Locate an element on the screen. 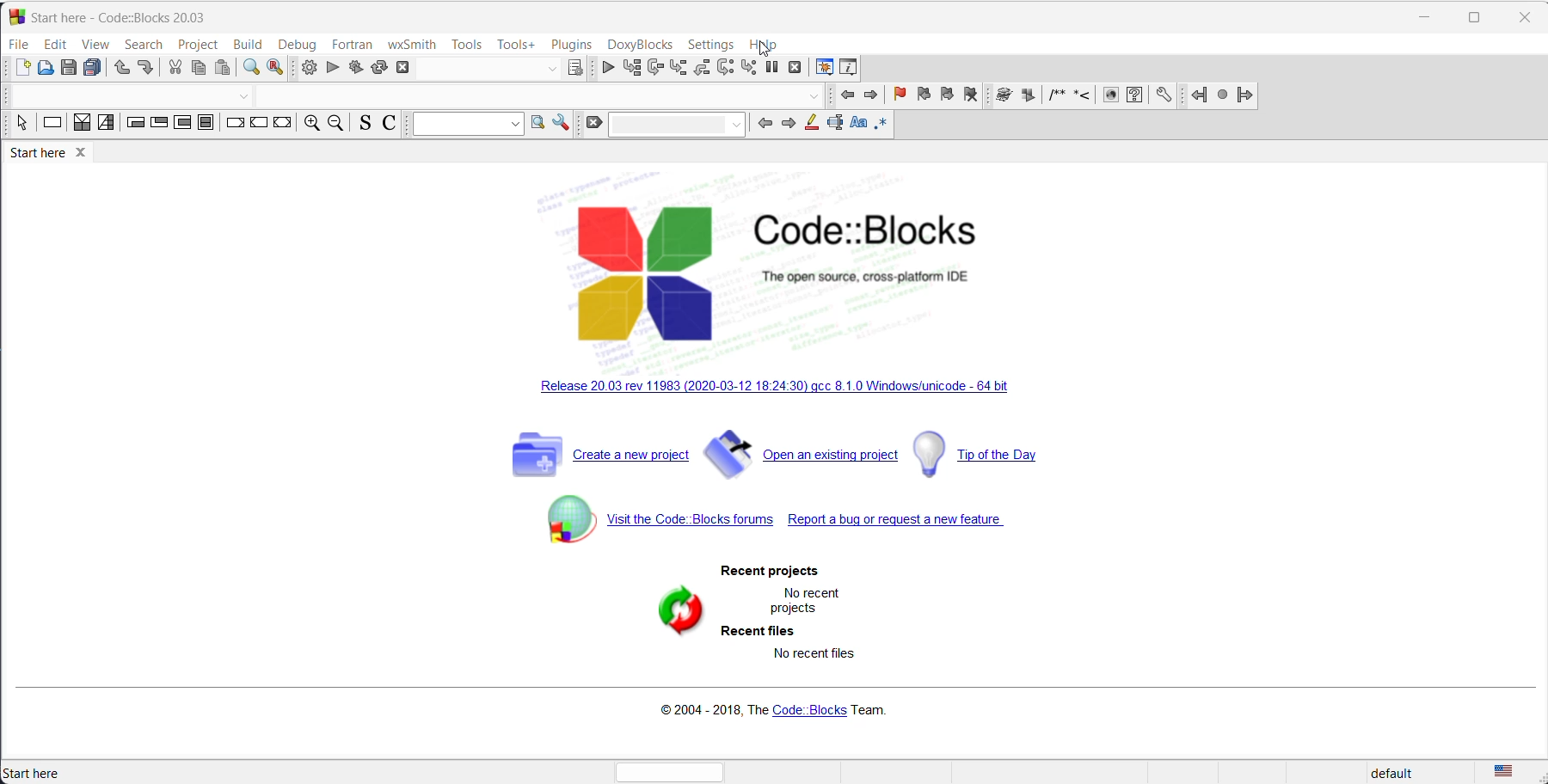 This screenshot has width=1548, height=784. help is located at coordinates (765, 46).